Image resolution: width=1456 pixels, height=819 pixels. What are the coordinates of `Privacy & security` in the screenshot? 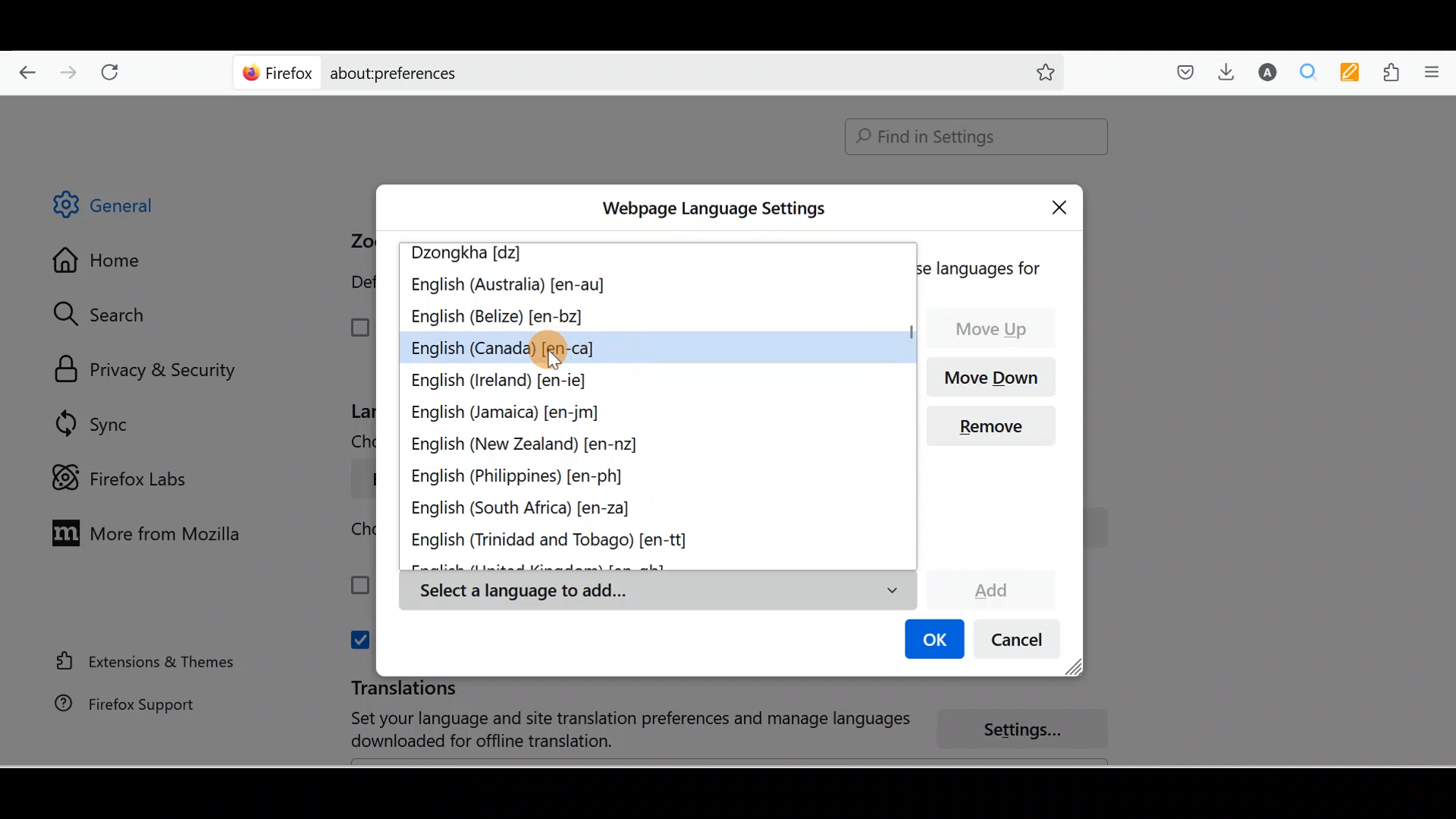 It's located at (152, 371).